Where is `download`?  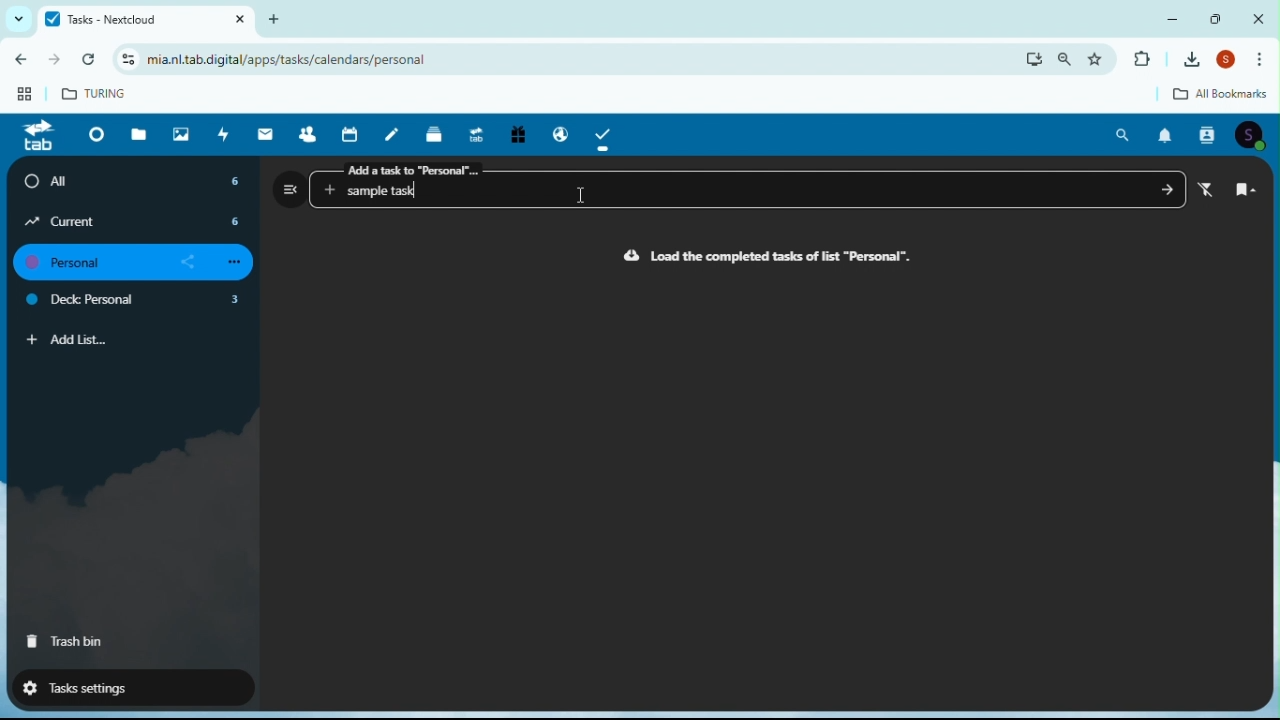
download is located at coordinates (1034, 59).